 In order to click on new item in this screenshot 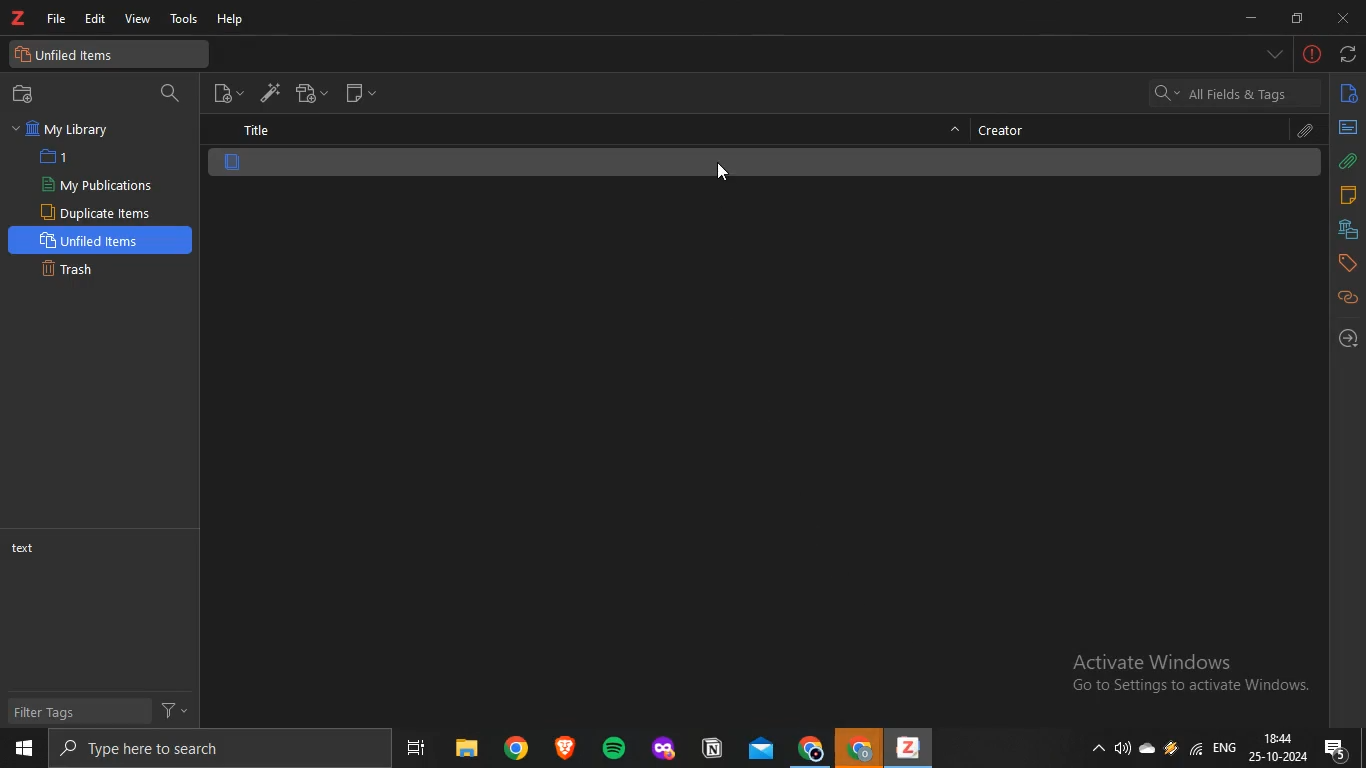, I will do `click(230, 92)`.